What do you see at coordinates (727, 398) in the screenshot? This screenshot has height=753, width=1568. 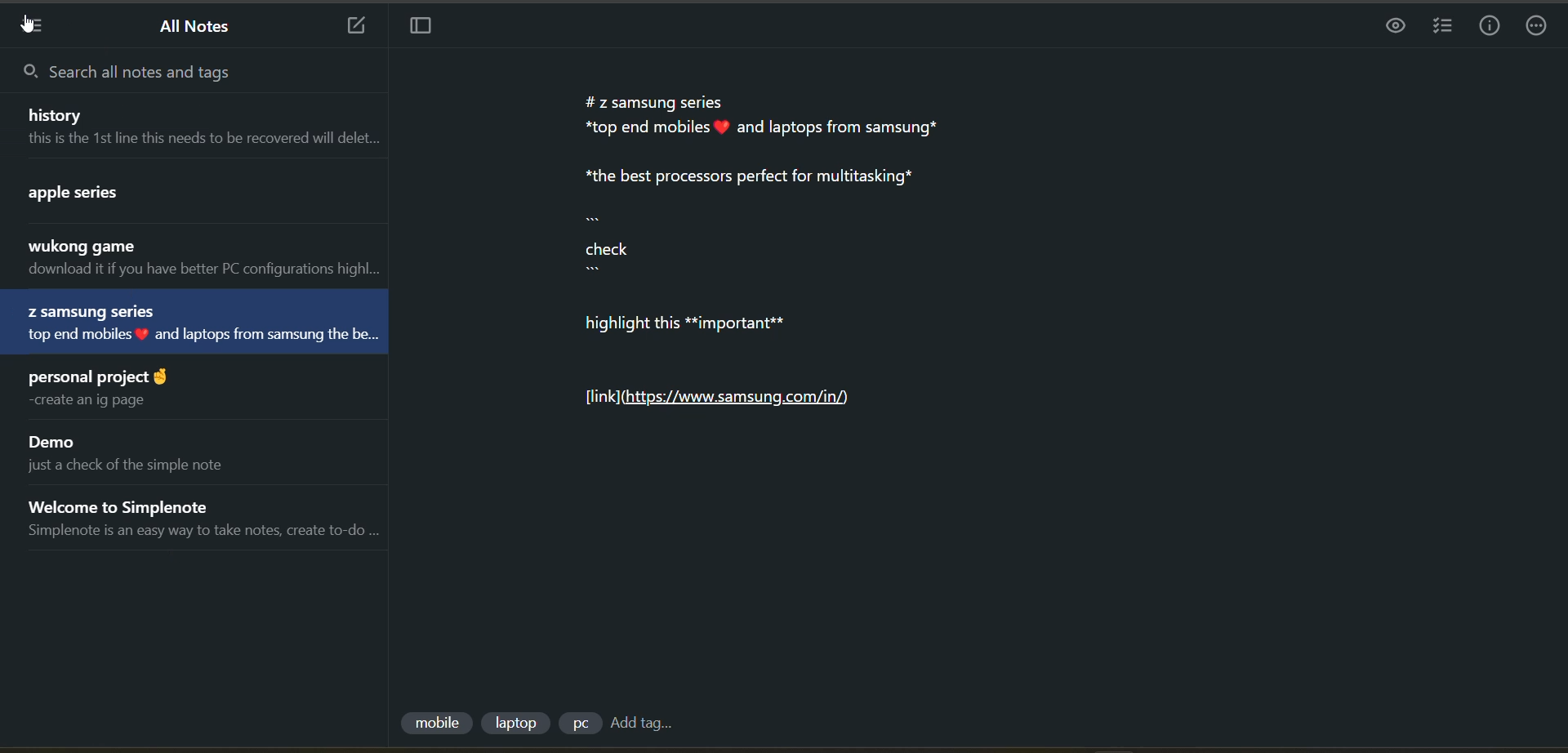 I see `Link` at bounding box center [727, 398].